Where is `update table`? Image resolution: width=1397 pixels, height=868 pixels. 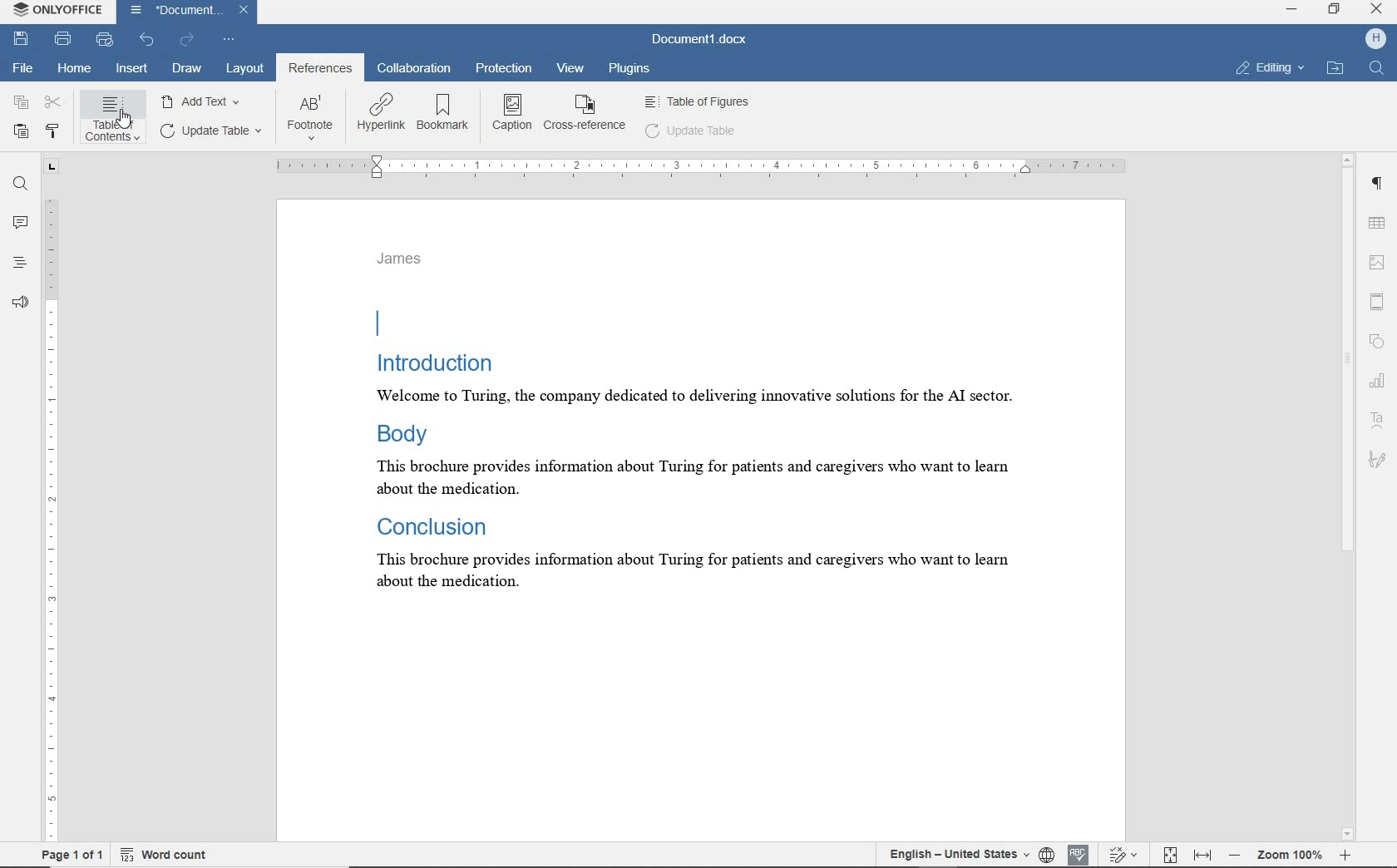
update table is located at coordinates (214, 131).